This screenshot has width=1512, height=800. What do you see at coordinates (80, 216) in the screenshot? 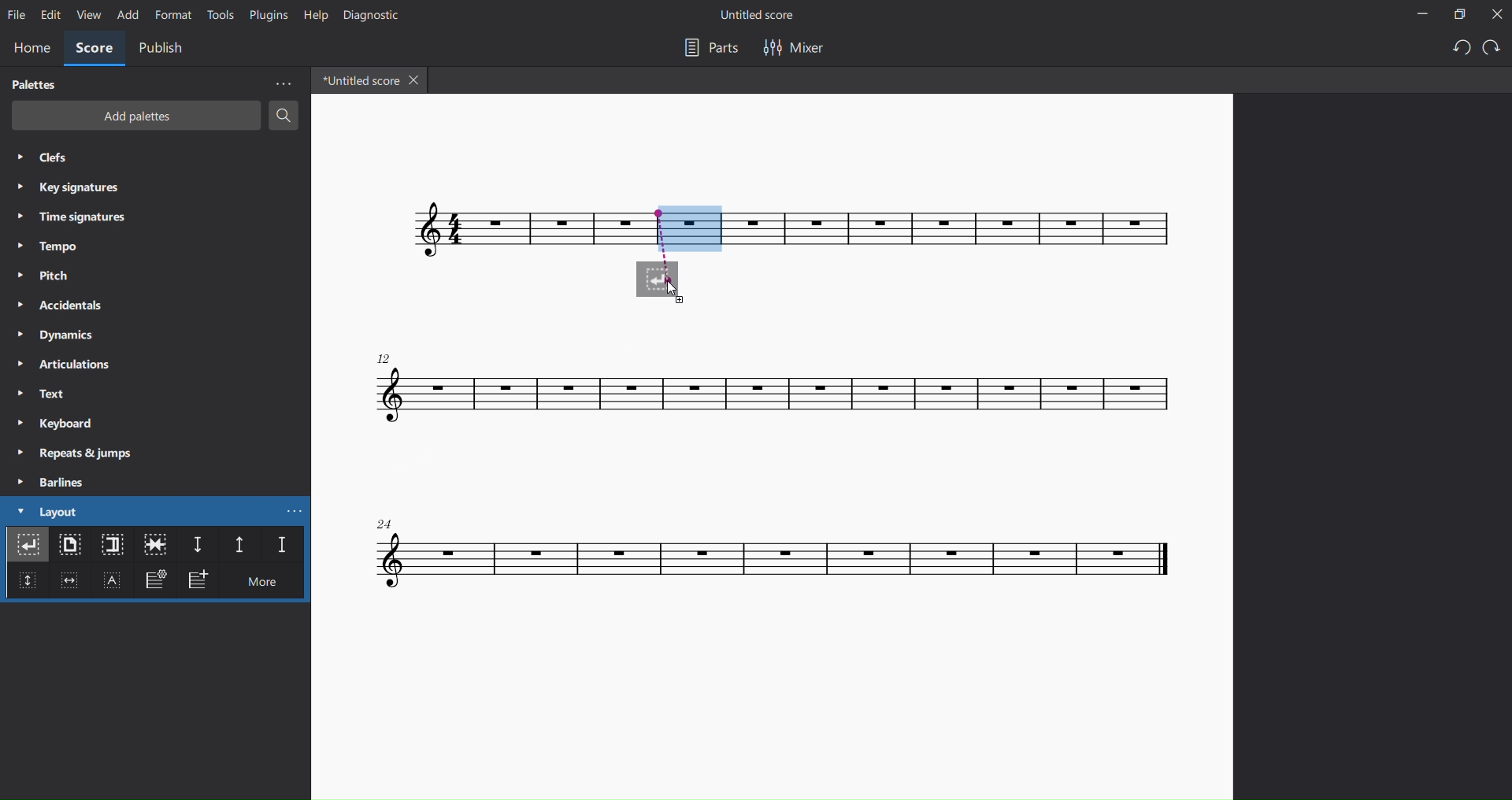
I see `time signatures` at bounding box center [80, 216].